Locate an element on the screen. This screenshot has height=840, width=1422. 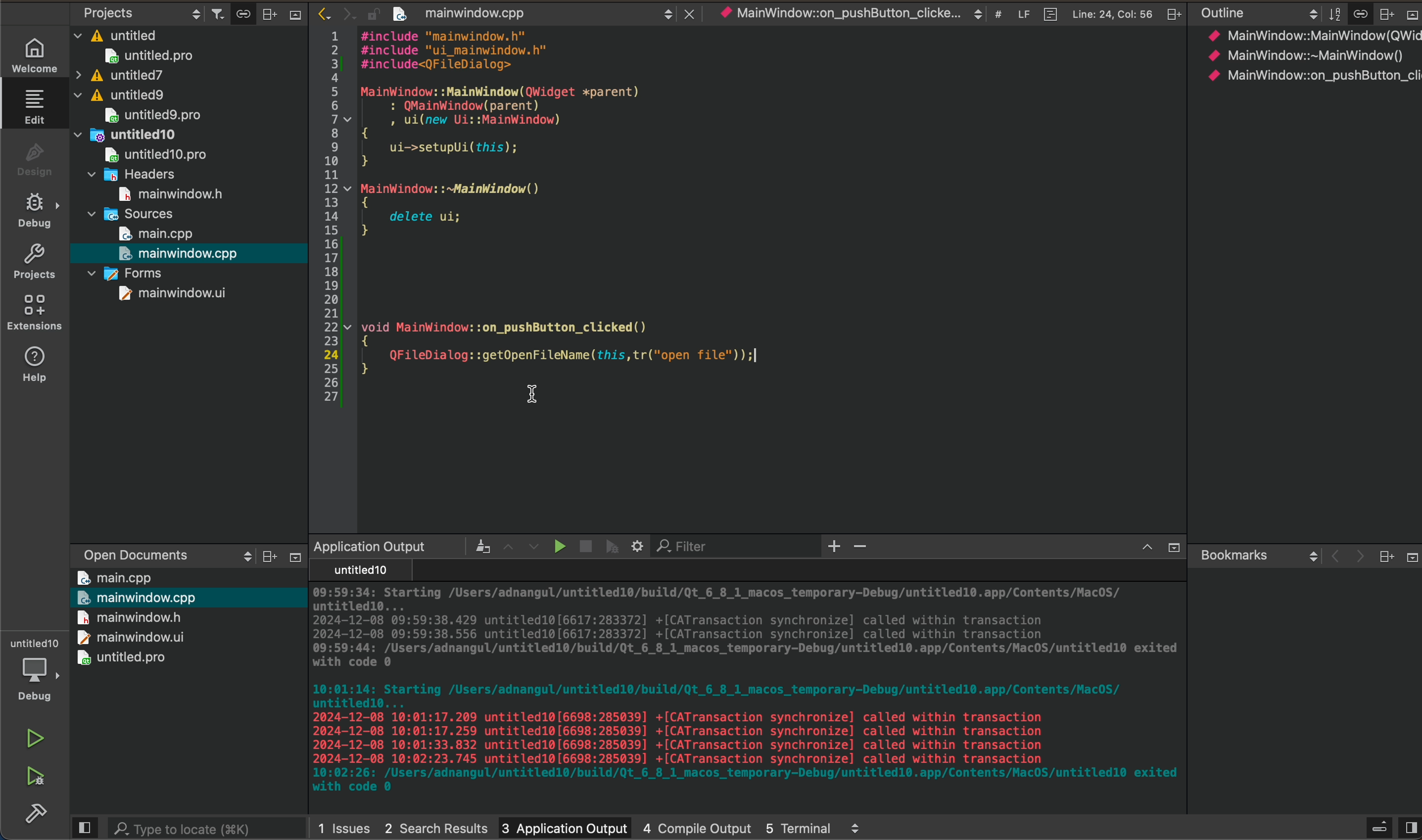
5 terminal is located at coordinates (798, 825).